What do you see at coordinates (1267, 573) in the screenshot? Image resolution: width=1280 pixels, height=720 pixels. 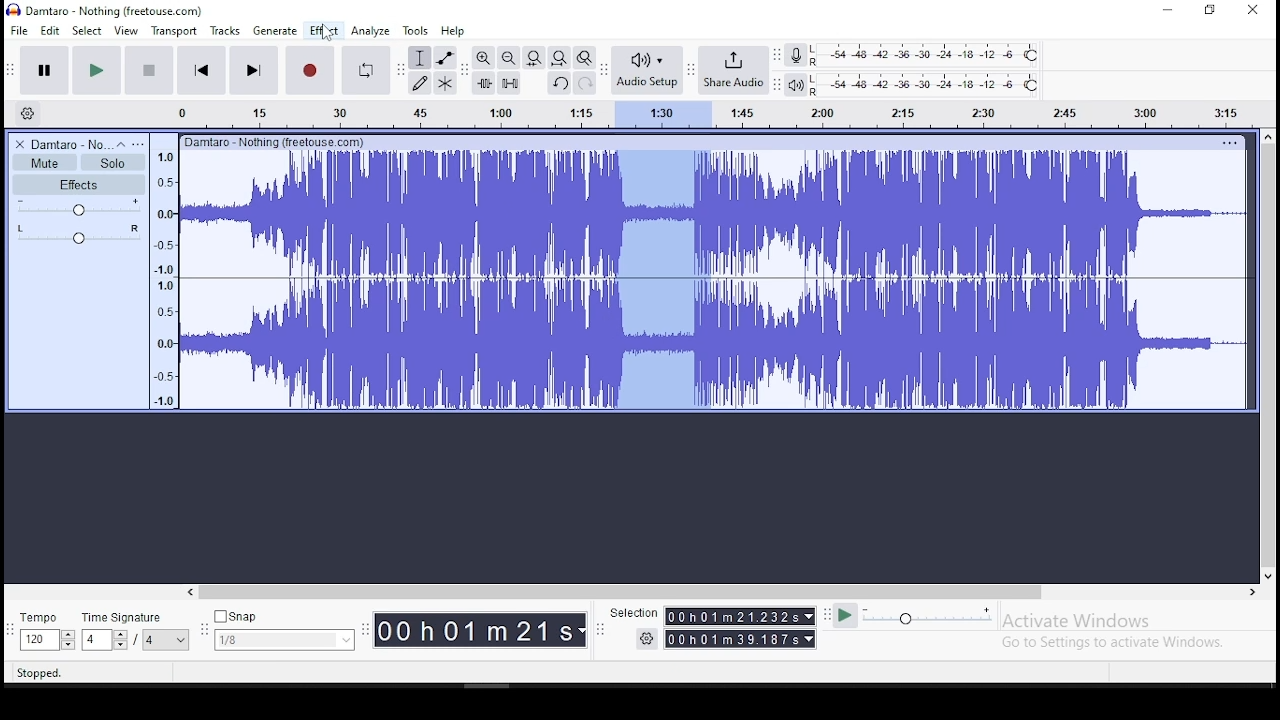 I see `down` at bounding box center [1267, 573].